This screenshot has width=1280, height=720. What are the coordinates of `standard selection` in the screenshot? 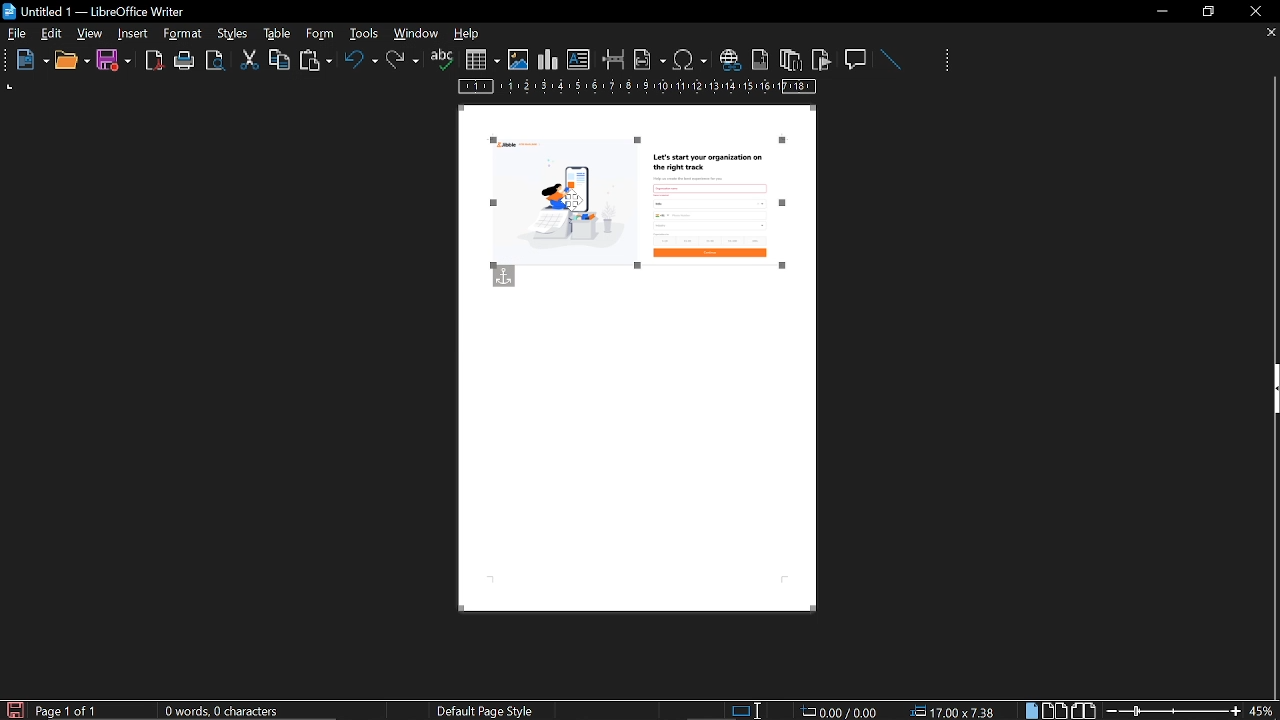 It's located at (748, 710).